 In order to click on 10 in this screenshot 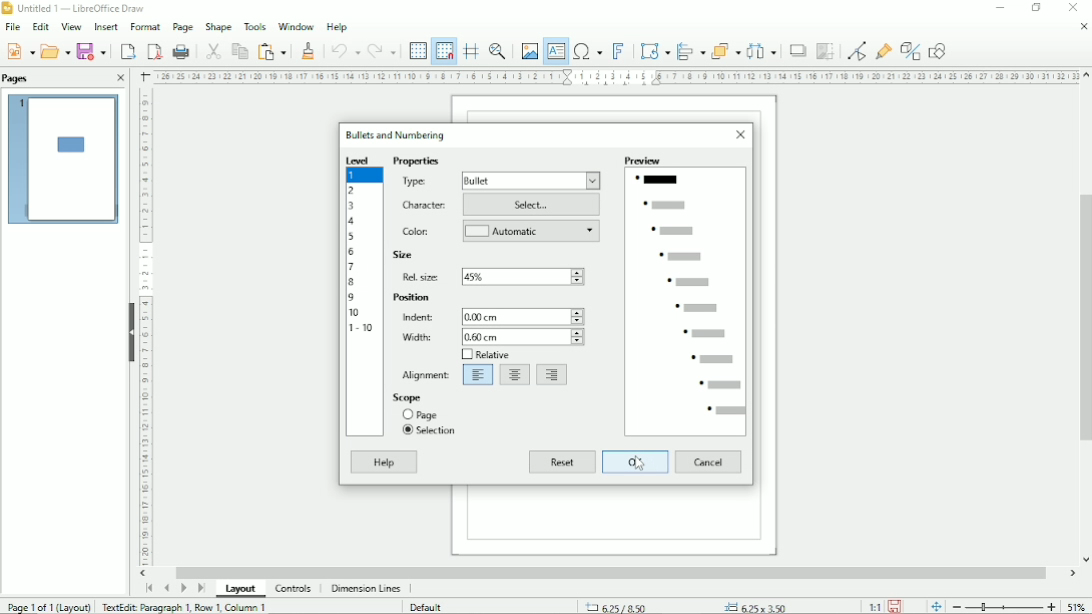, I will do `click(355, 312)`.